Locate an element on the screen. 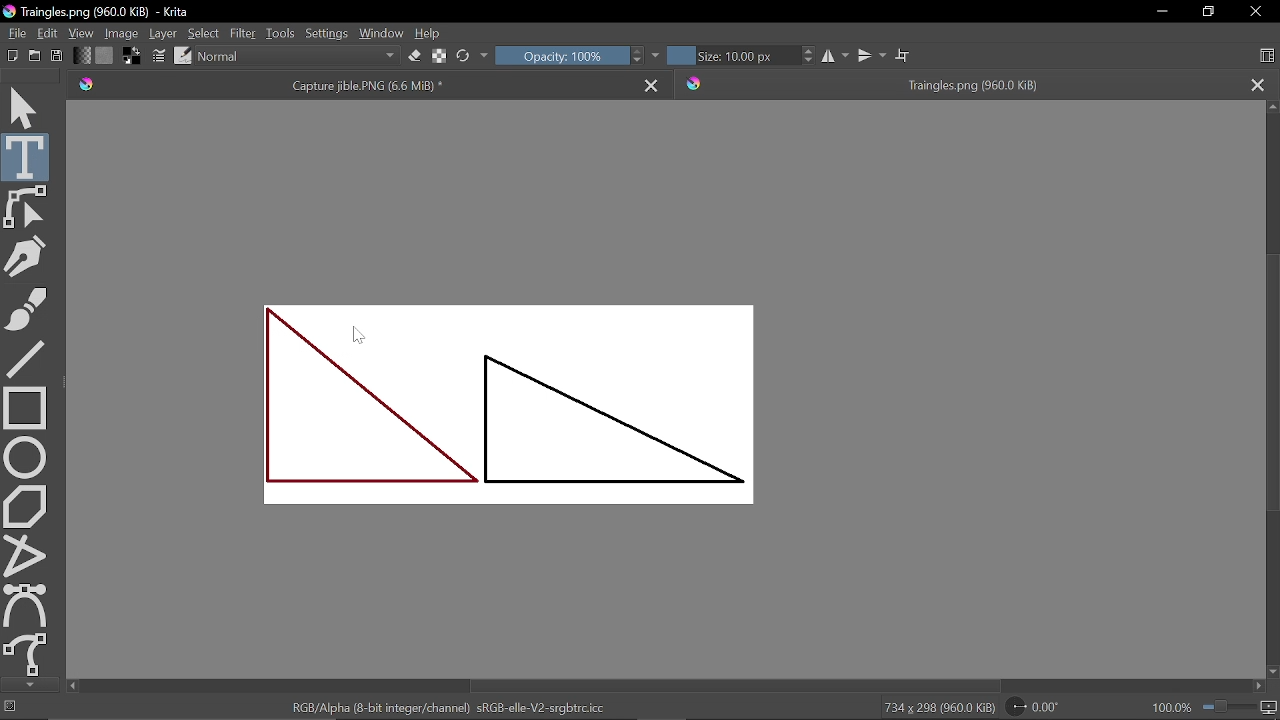 Image resolution: width=1280 pixels, height=720 pixels. Opacity is located at coordinates (561, 55).